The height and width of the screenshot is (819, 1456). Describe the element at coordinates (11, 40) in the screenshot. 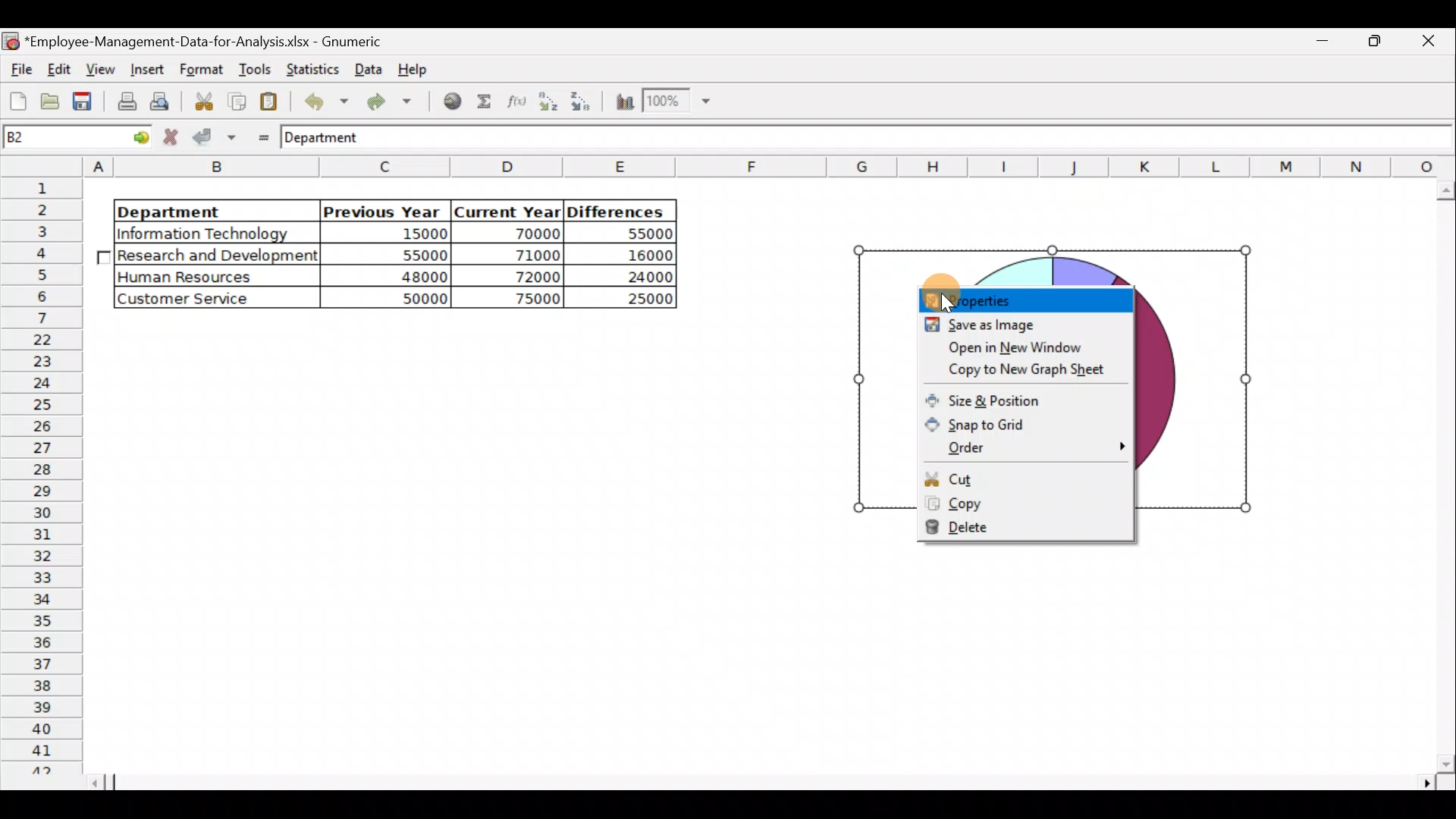

I see `Gnumeric logo` at that location.